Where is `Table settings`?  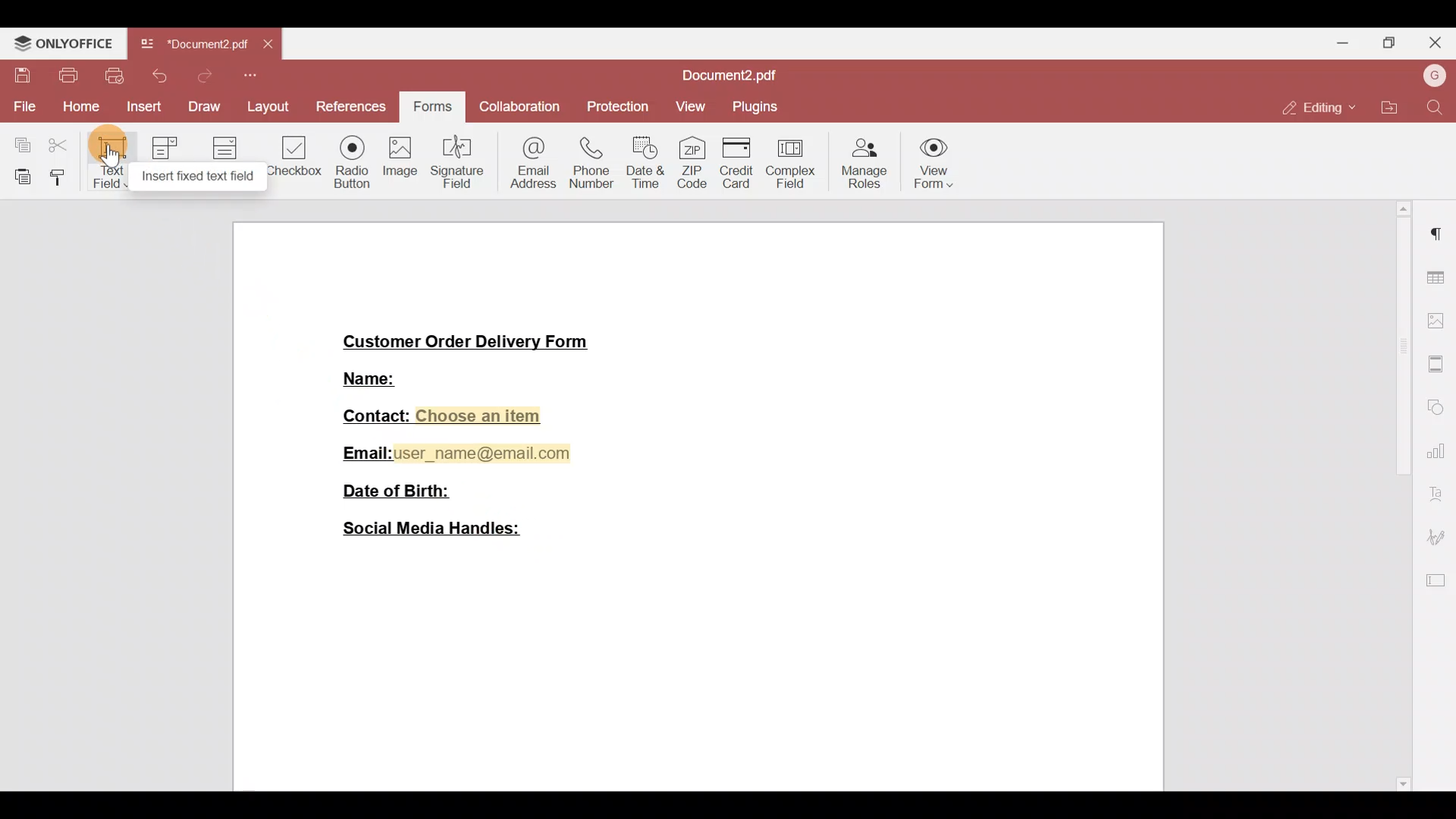 Table settings is located at coordinates (1438, 275).